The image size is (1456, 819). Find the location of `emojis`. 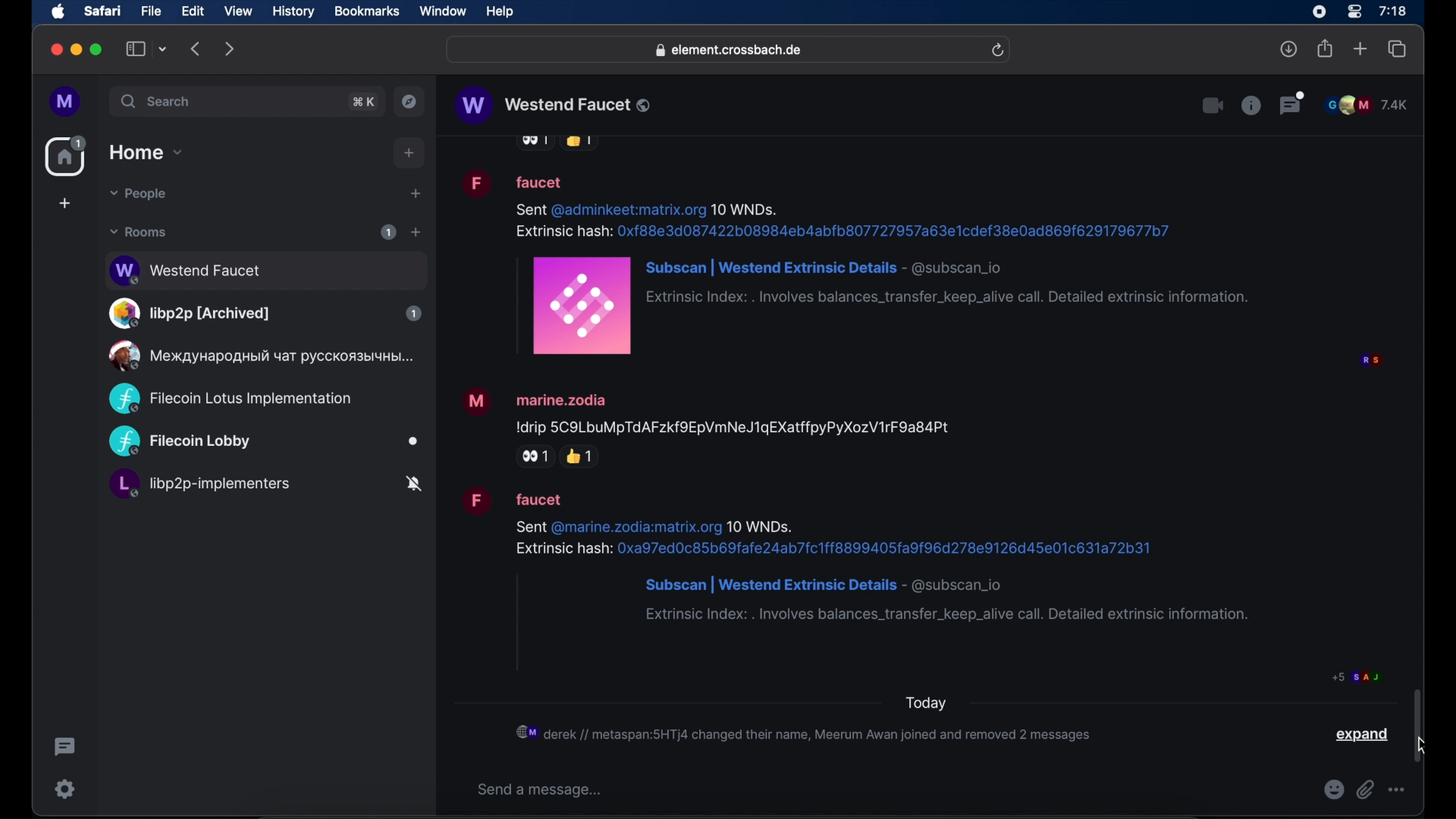

emojis is located at coordinates (1334, 789).